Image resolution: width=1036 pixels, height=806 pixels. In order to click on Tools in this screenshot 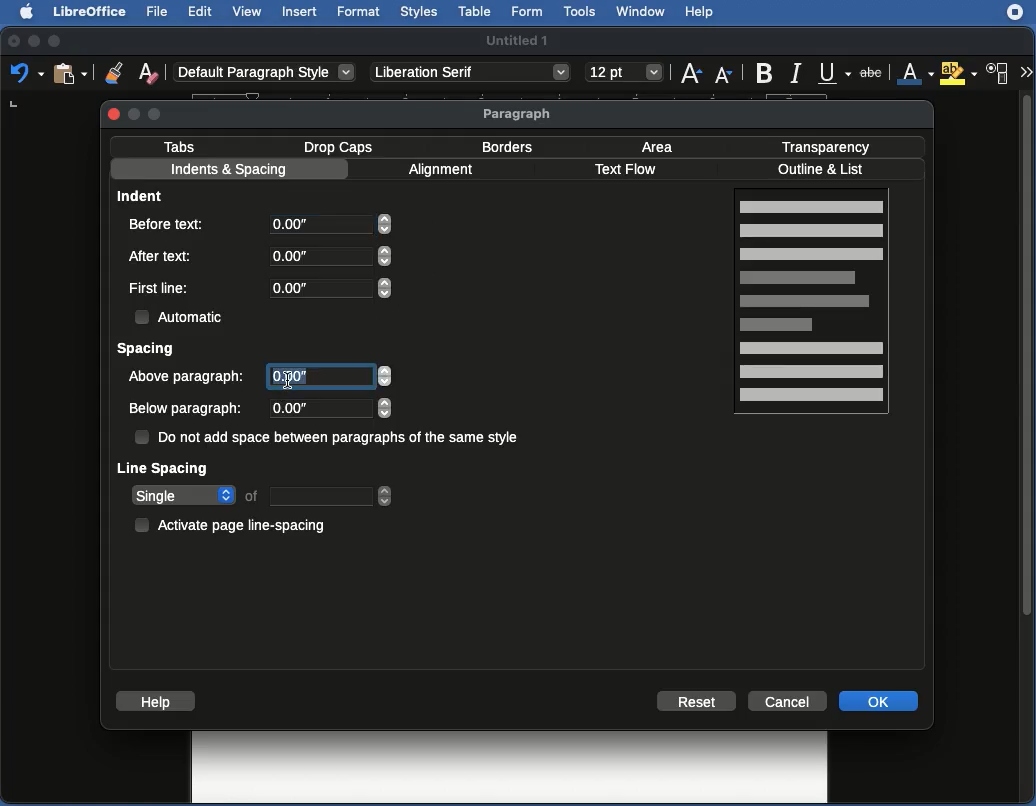, I will do `click(581, 12)`.